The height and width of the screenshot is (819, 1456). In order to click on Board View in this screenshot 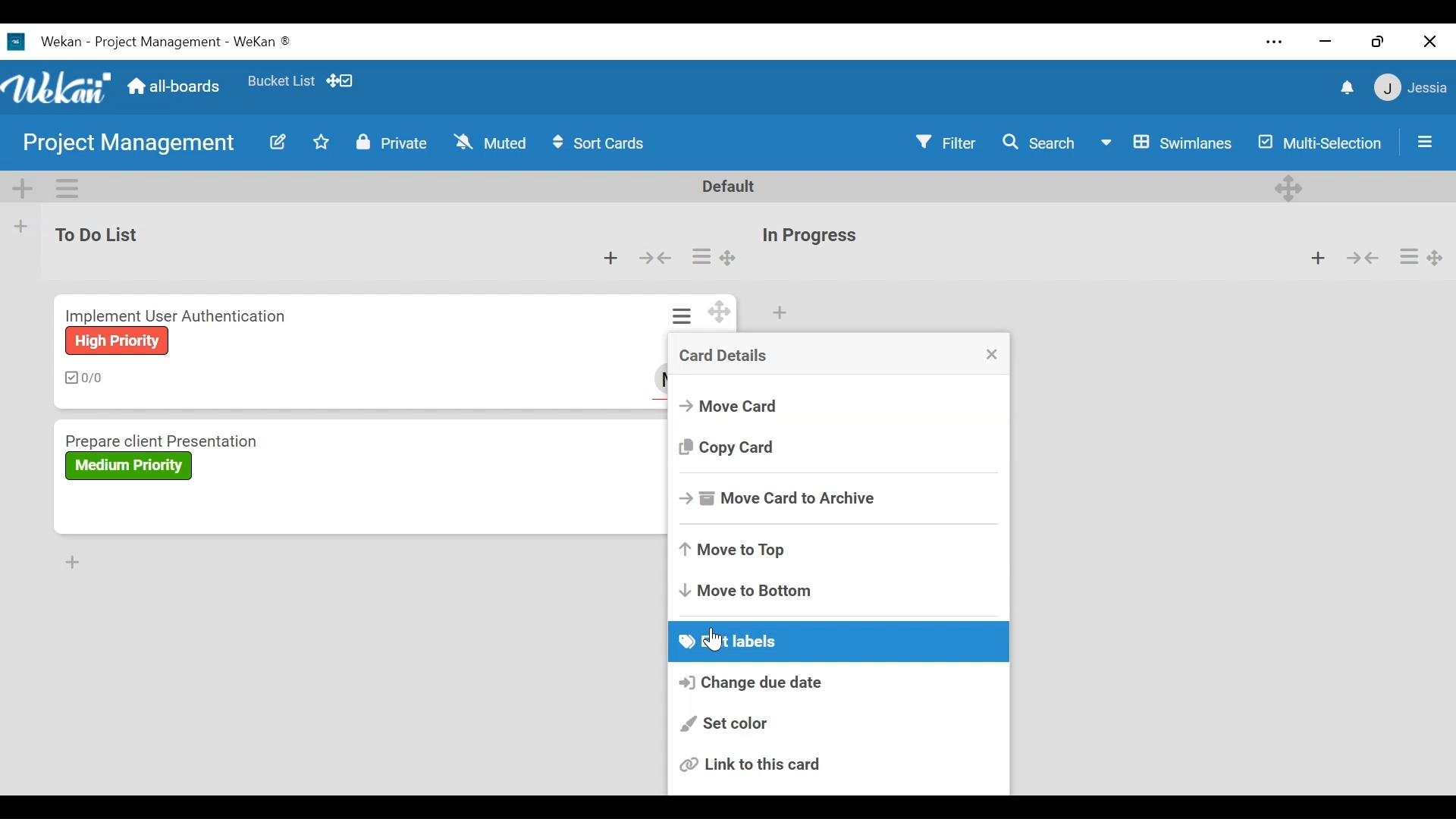, I will do `click(1167, 143)`.